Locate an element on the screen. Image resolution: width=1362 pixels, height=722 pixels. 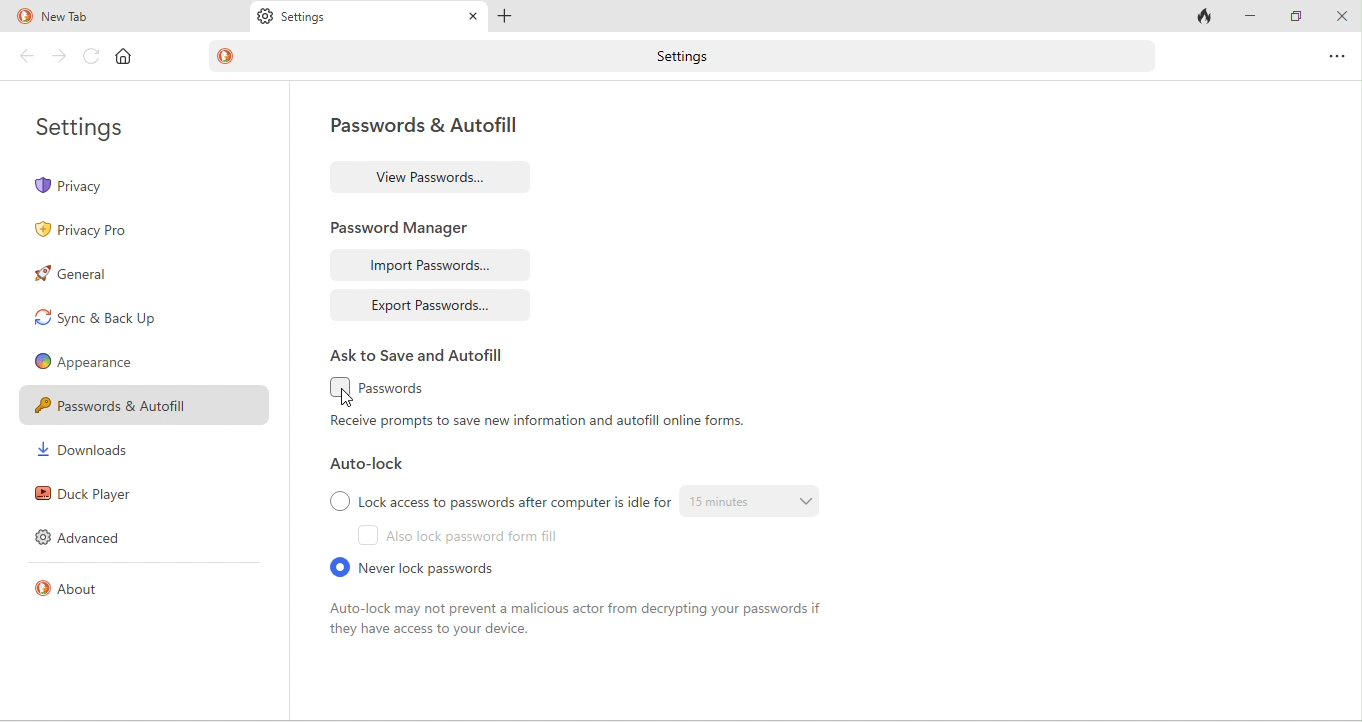
privacy is located at coordinates (93, 187).